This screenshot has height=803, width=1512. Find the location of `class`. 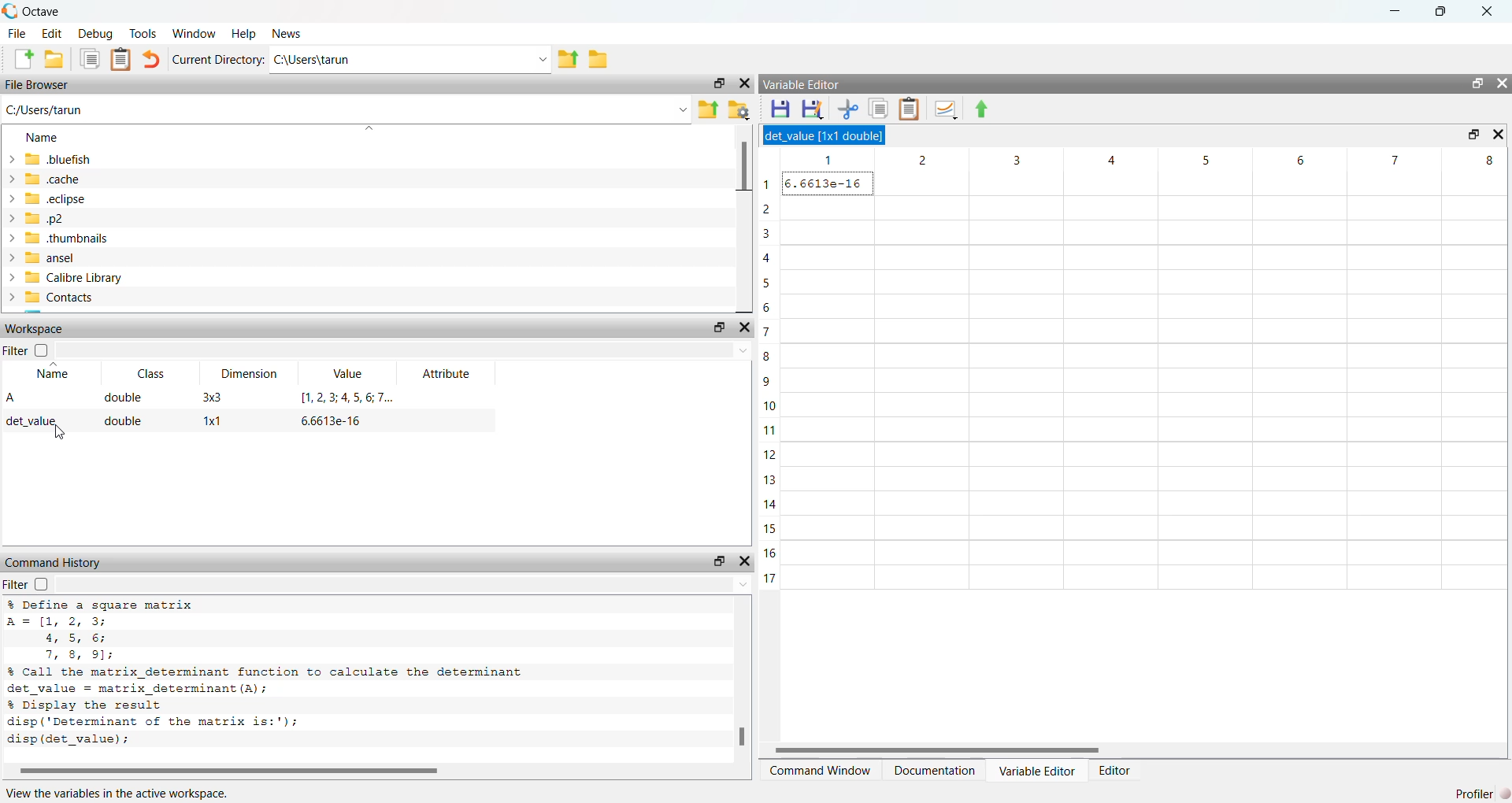

class is located at coordinates (155, 376).